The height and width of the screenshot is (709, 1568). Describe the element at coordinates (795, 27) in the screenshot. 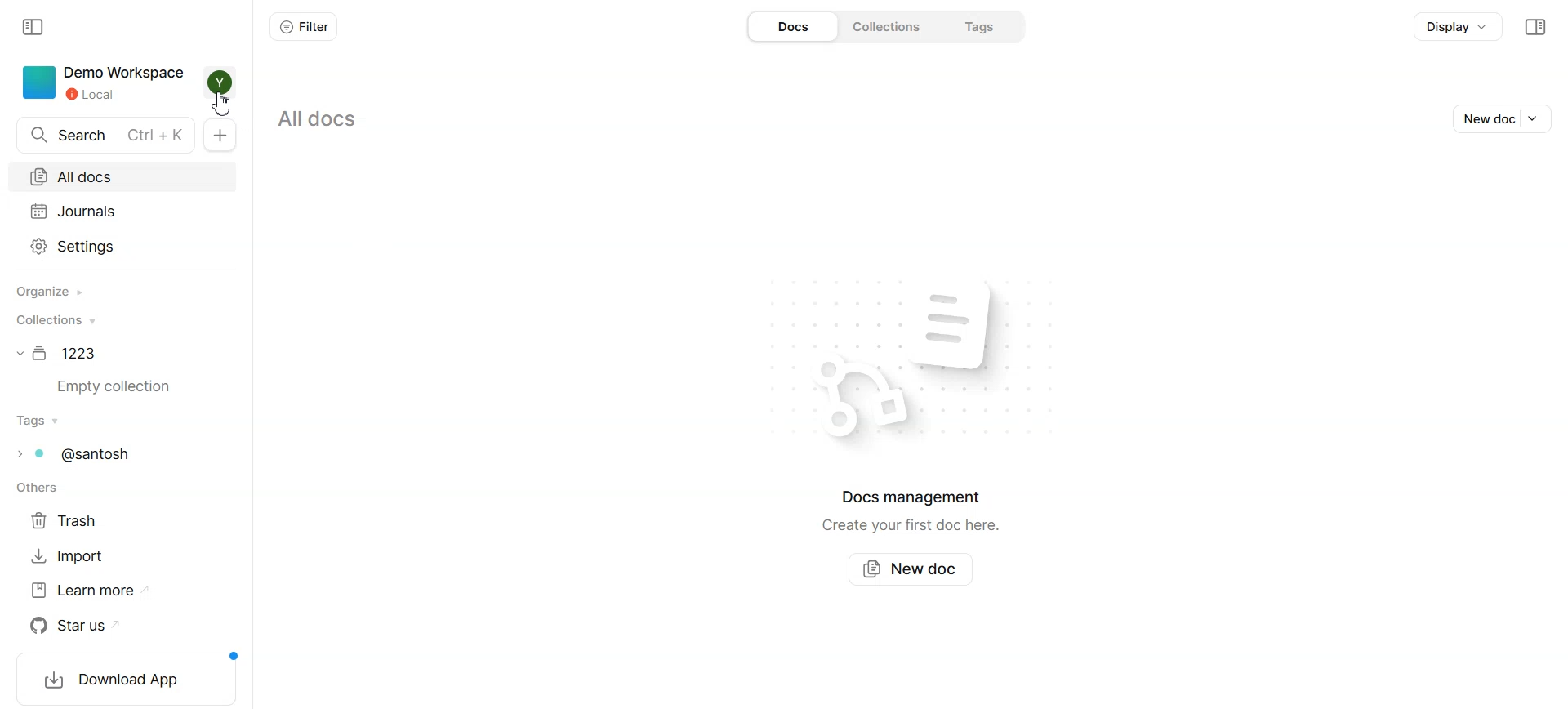

I see `Docs` at that location.